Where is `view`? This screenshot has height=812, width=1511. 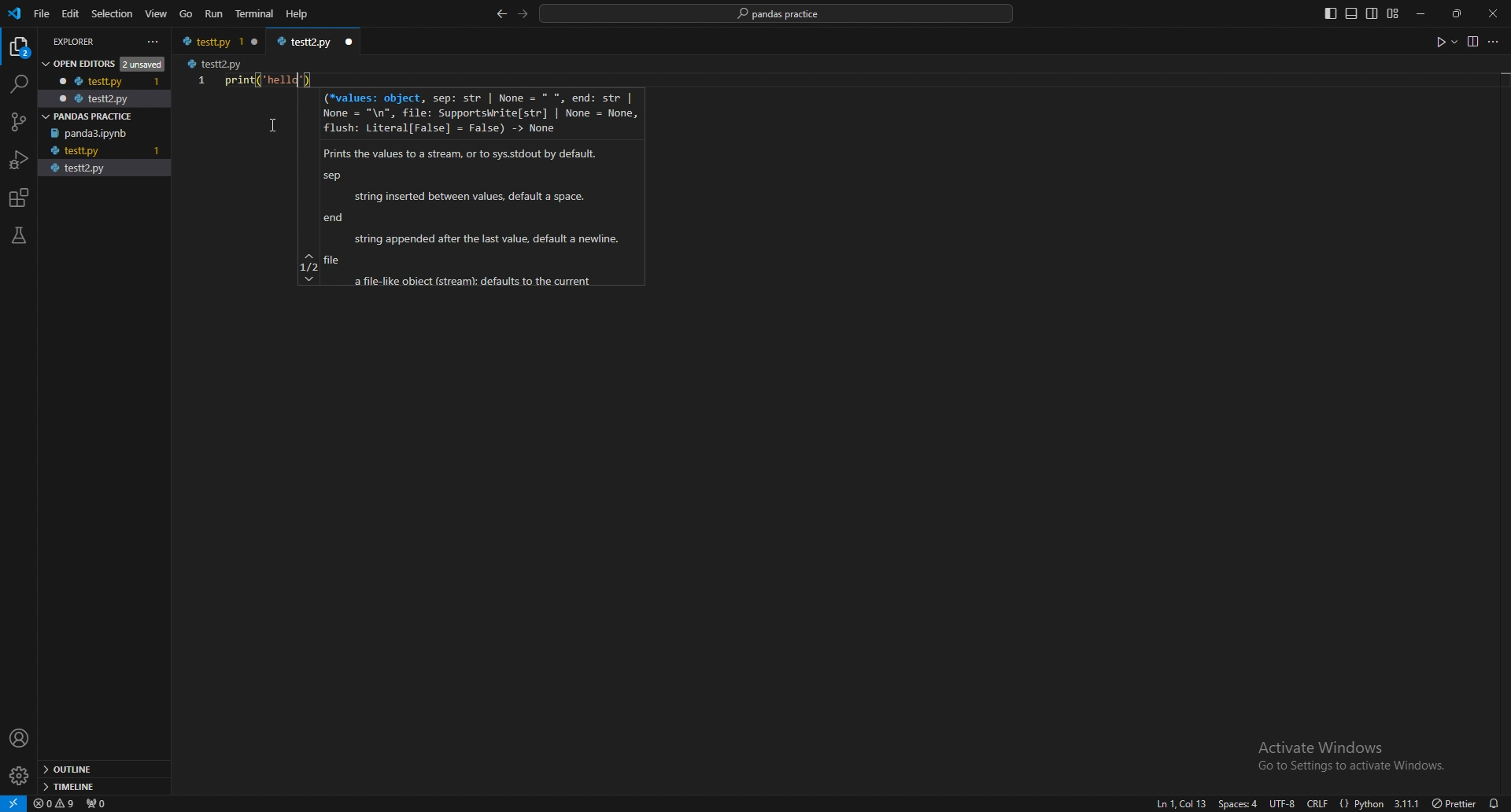 view is located at coordinates (1472, 41).